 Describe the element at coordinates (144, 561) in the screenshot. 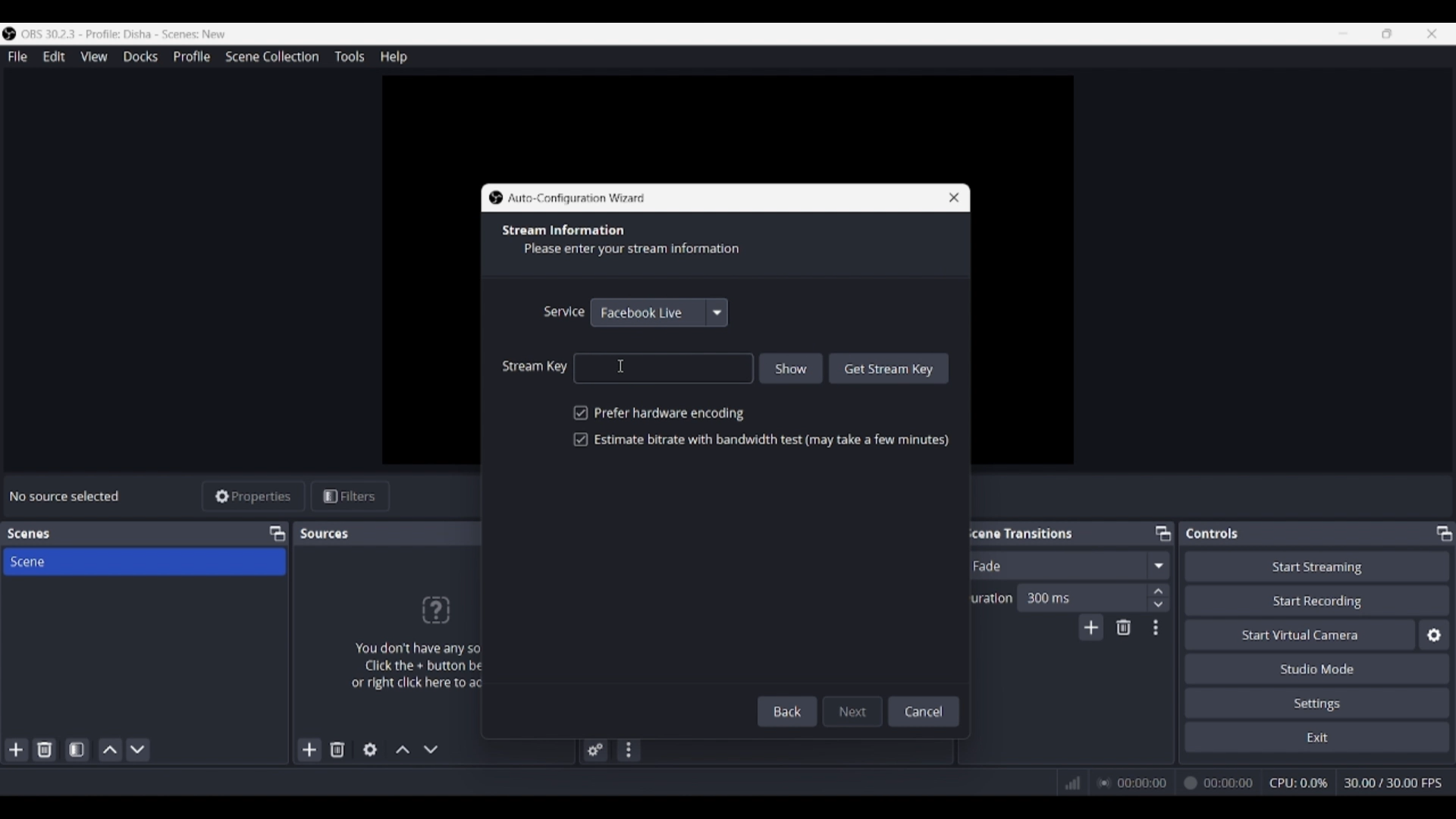

I see `Scene title` at that location.